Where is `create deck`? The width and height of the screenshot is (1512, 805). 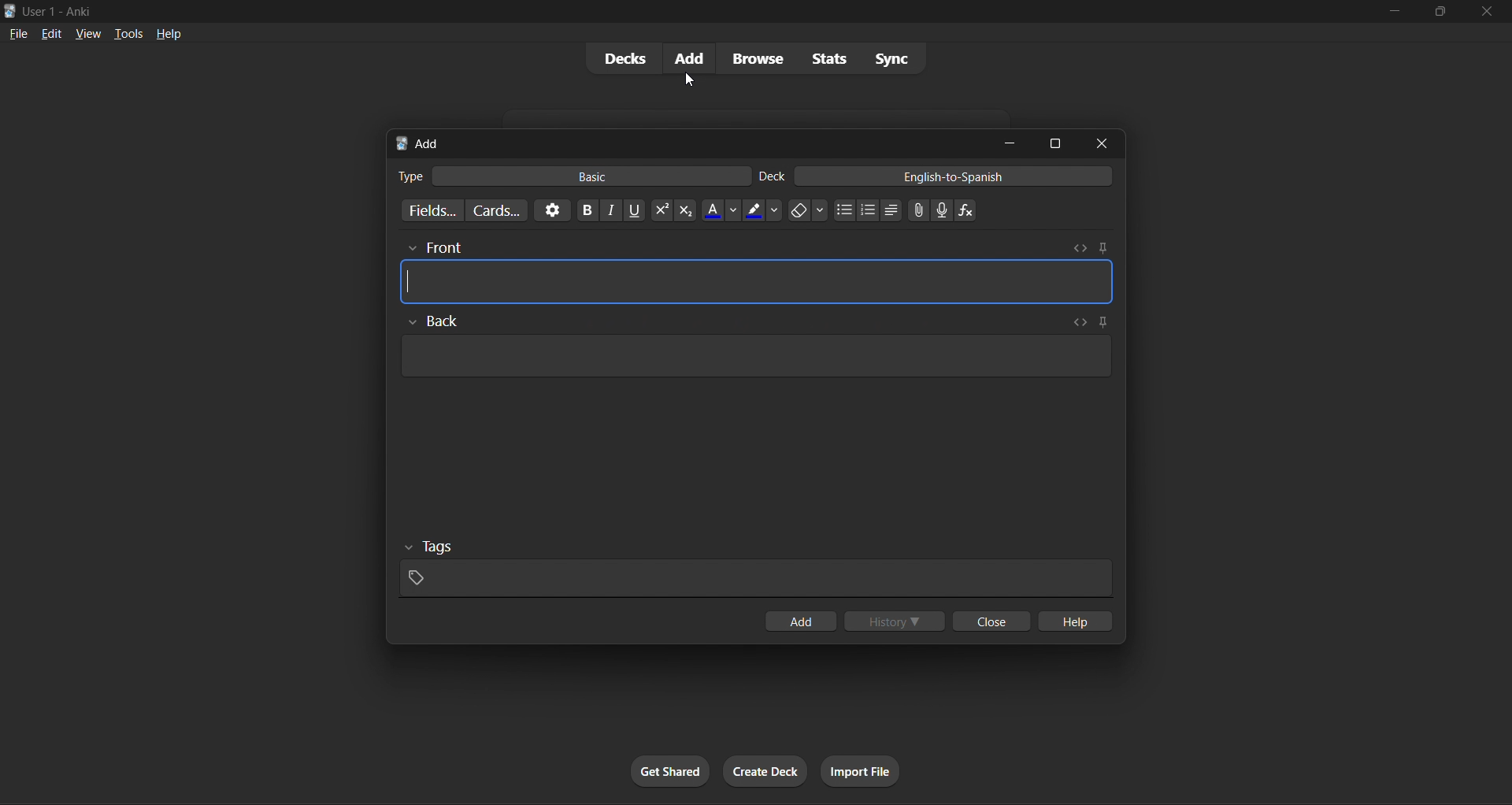 create deck is located at coordinates (762, 769).